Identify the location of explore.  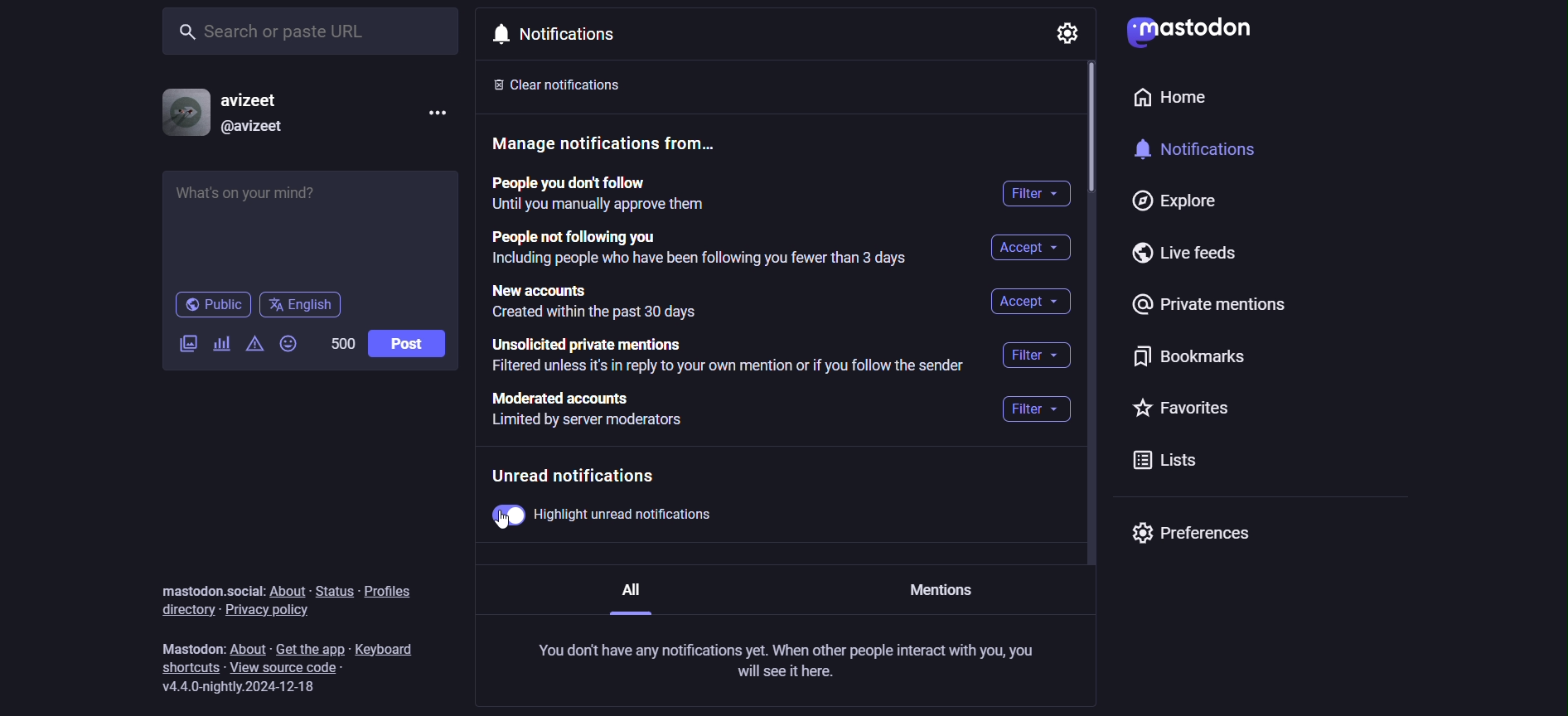
(1168, 202).